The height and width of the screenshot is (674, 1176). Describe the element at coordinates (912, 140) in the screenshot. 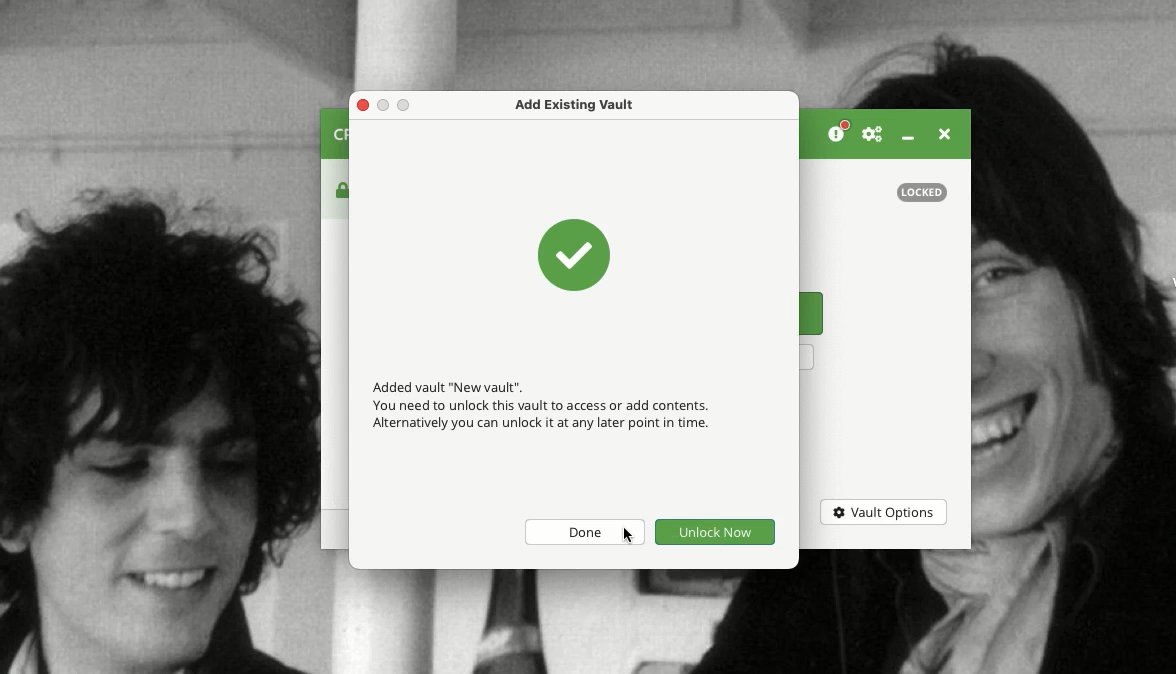

I see `Minimize` at that location.